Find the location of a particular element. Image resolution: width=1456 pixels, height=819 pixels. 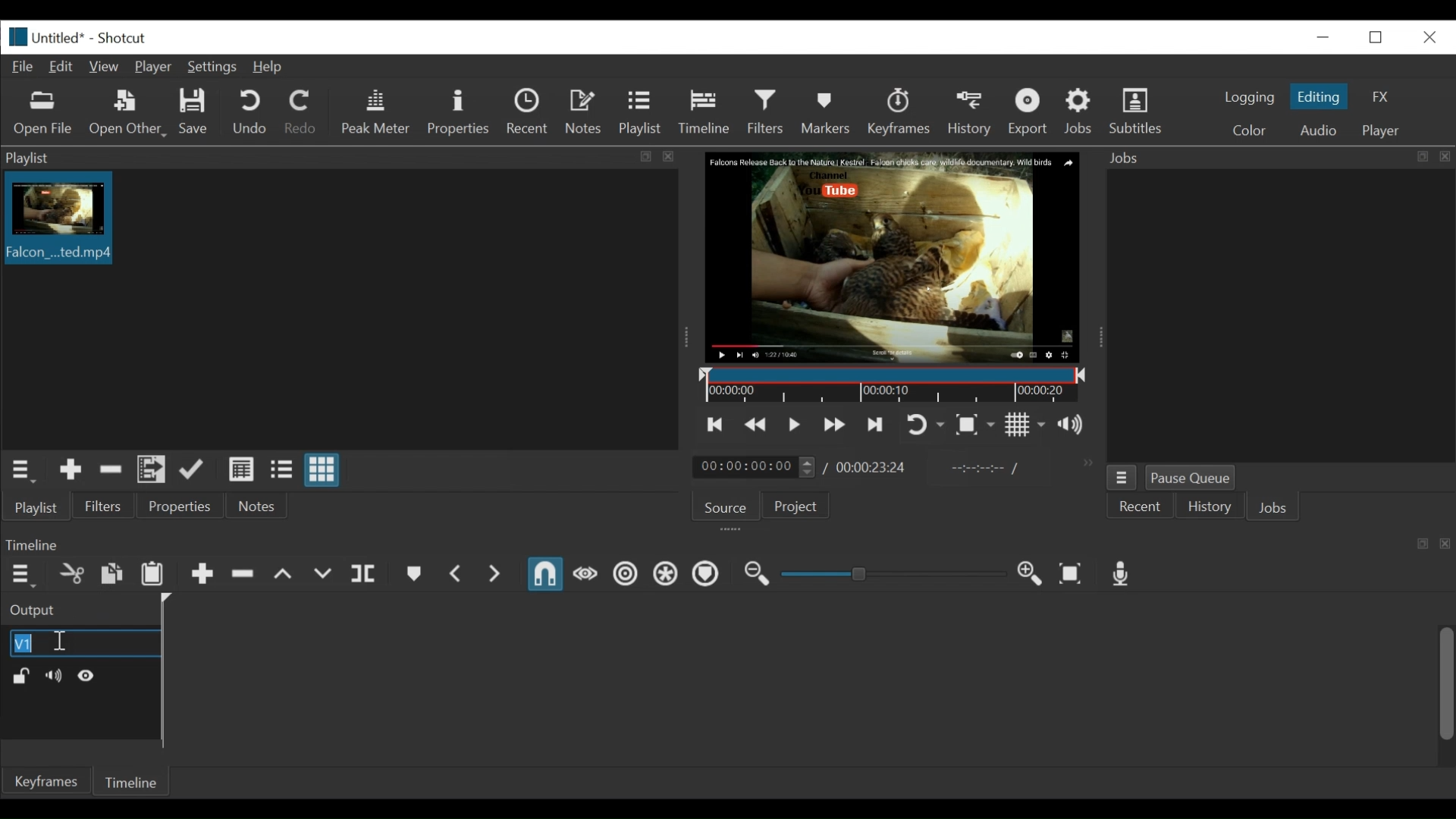

Timeline Panel is located at coordinates (726, 546).